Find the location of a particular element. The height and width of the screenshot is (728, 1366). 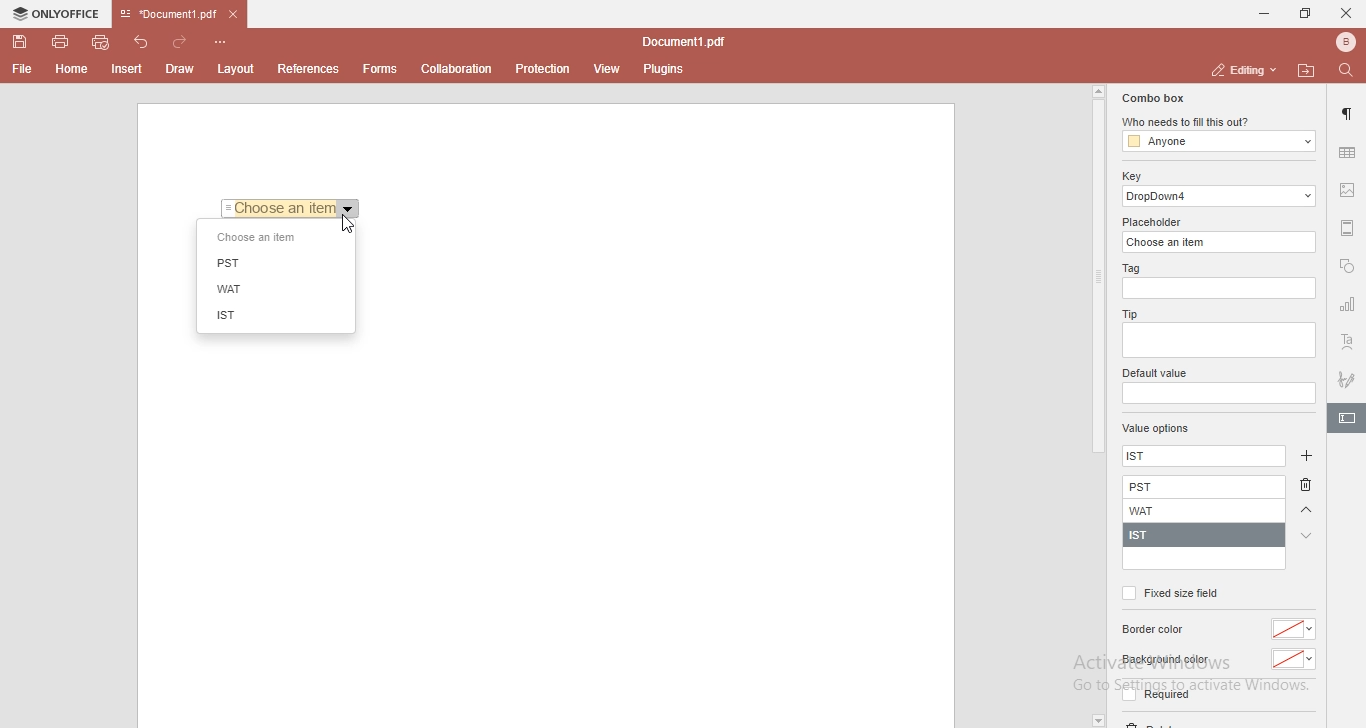

Choose an item is located at coordinates (280, 207).